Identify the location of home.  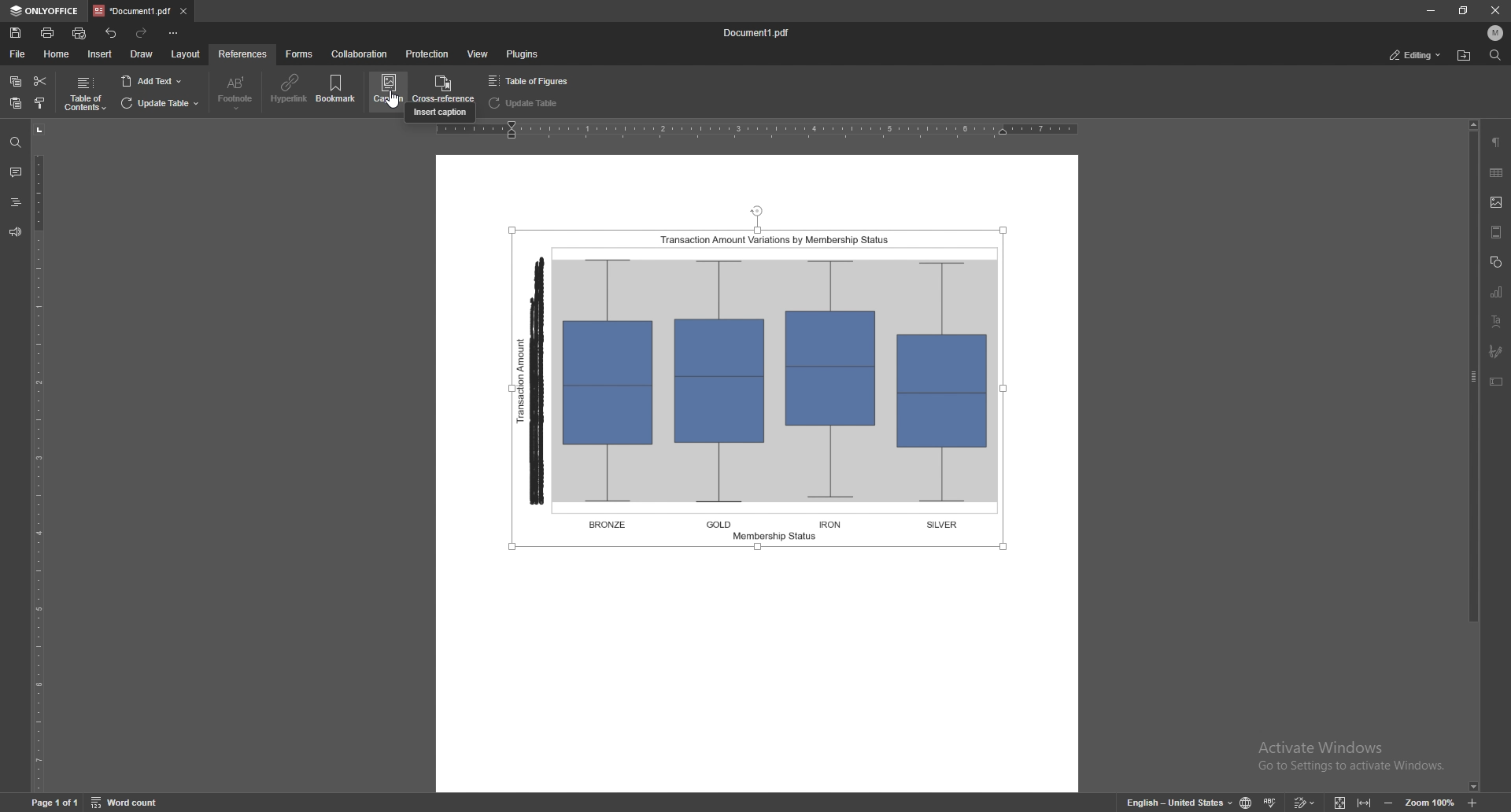
(57, 54).